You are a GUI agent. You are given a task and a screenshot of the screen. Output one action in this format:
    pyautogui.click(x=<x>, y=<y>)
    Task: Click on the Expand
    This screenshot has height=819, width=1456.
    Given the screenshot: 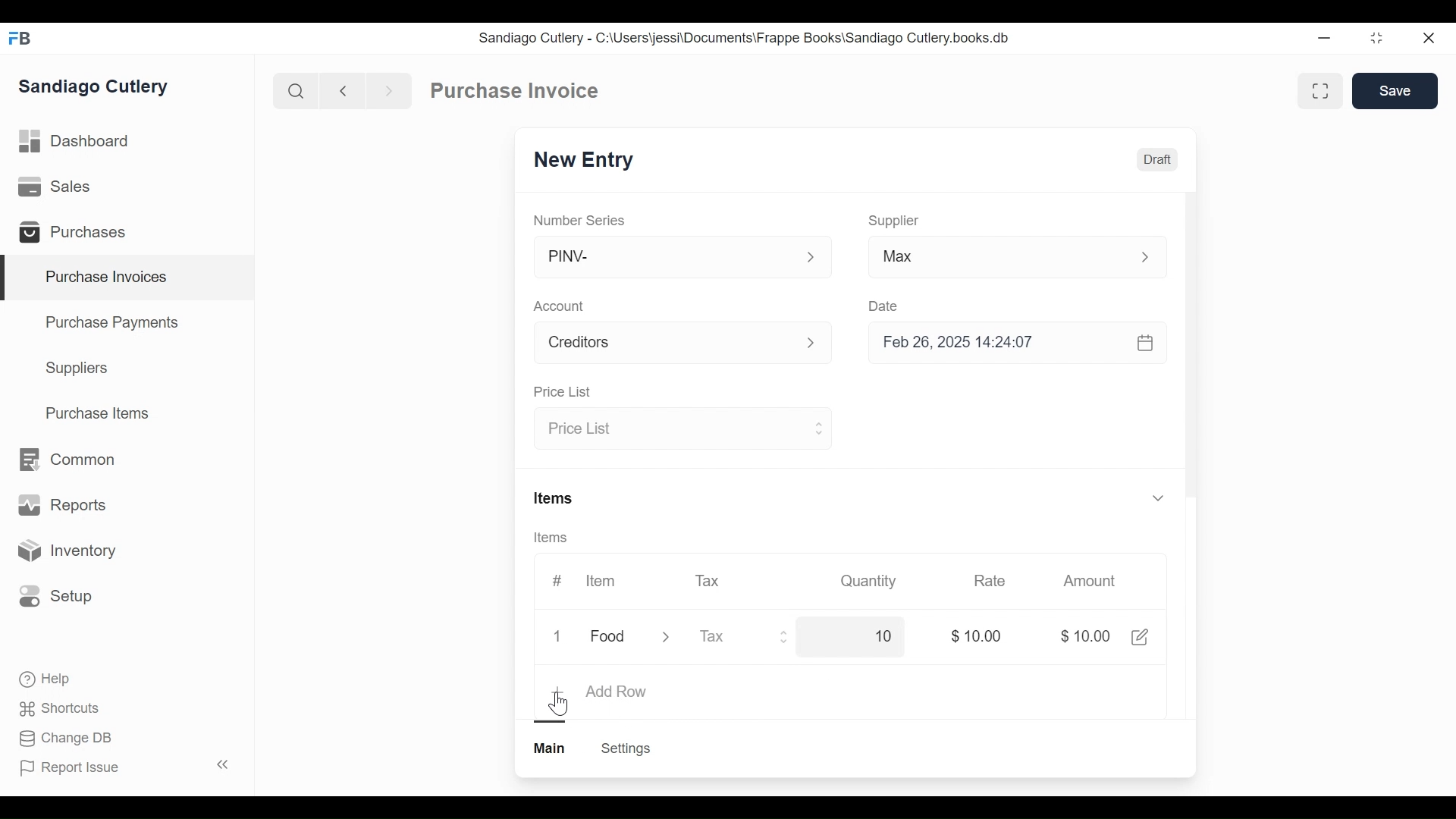 What is the action you would take?
    pyautogui.click(x=817, y=427)
    